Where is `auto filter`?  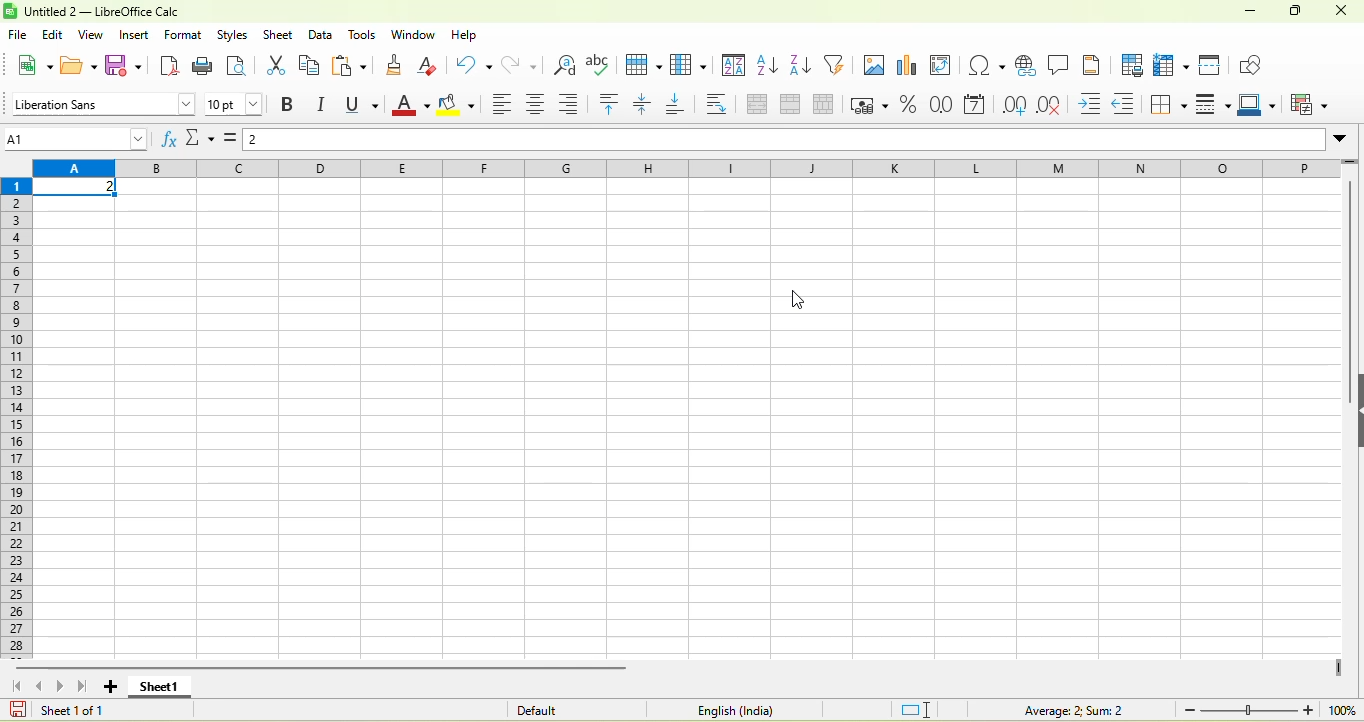 auto filter is located at coordinates (838, 64).